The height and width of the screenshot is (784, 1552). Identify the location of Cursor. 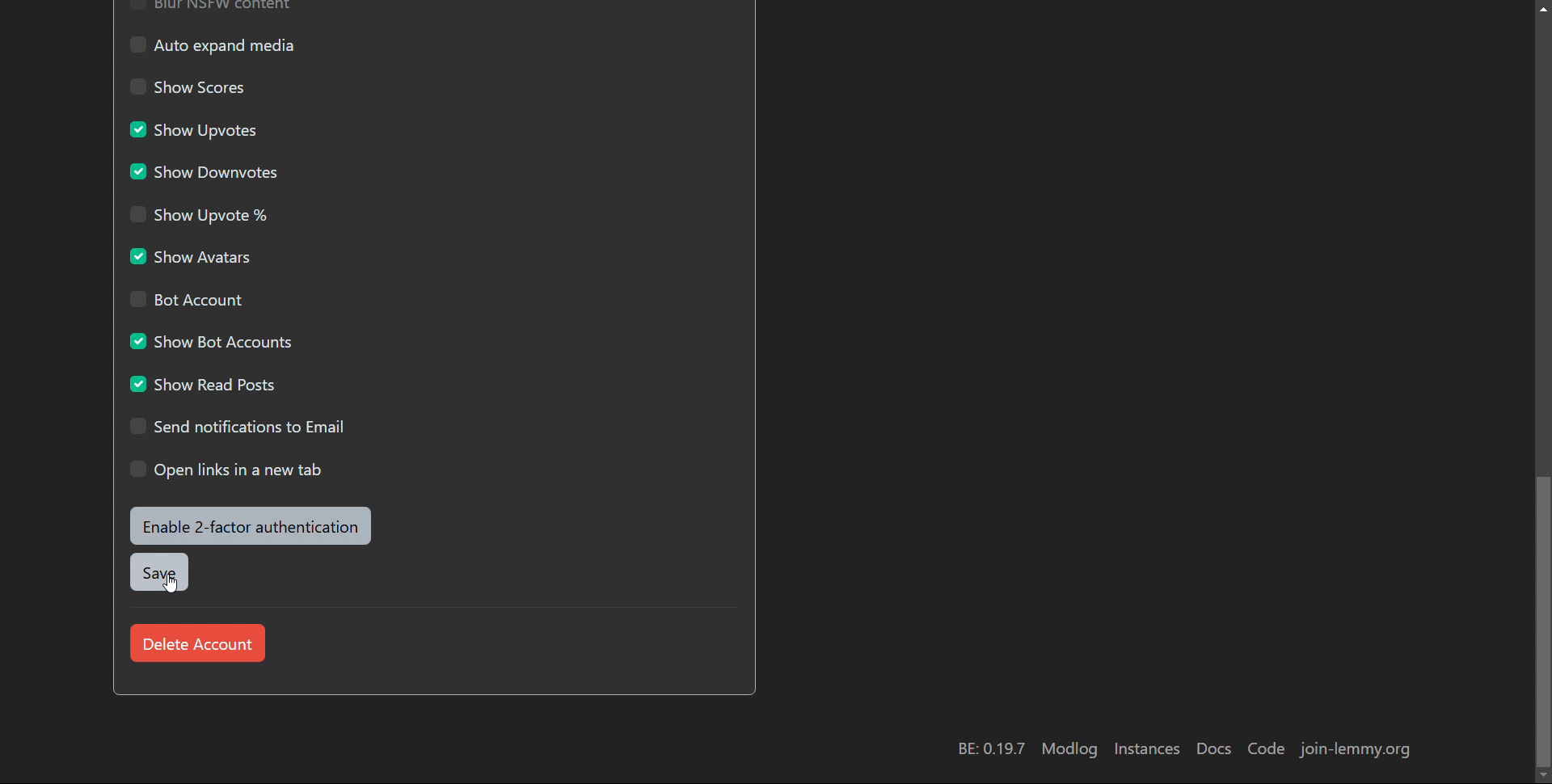
(170, 580).